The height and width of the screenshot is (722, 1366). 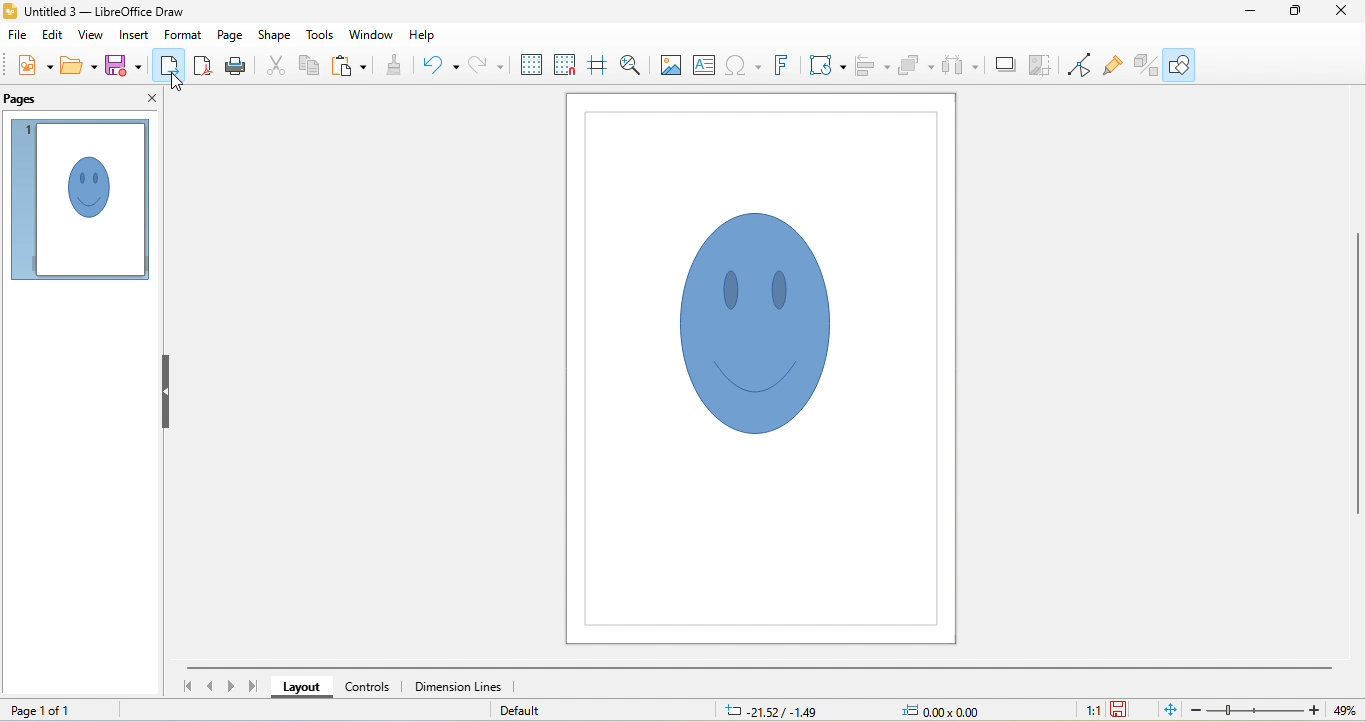 I want to click on paste, so click(x=351, y=64).